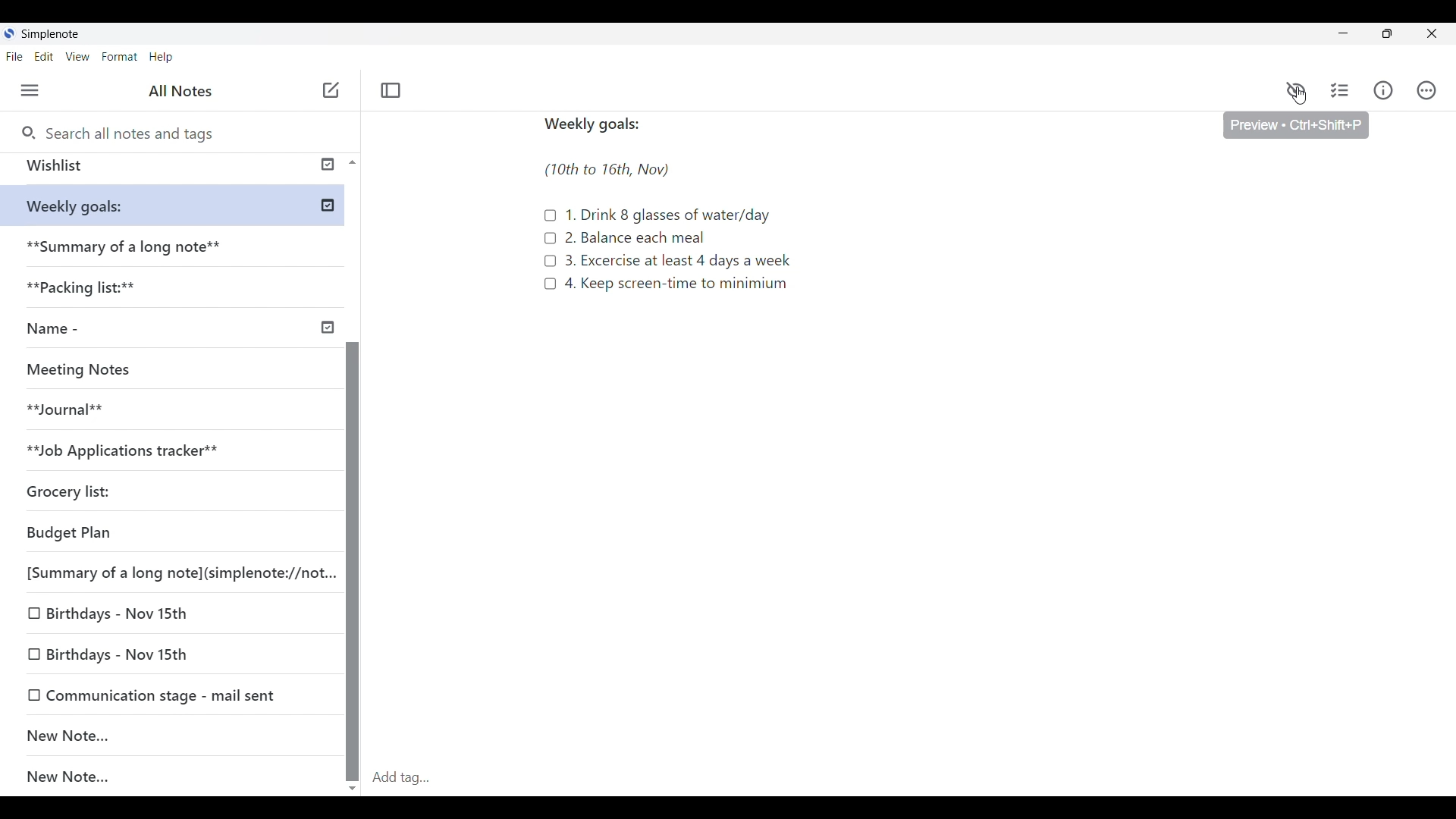 The height and width of the screenshot is (819, 1456). What do you see at coordinates (130, 131) in the screenshot?
I see `Search all notes and tags` at bounding box center [130, 131].